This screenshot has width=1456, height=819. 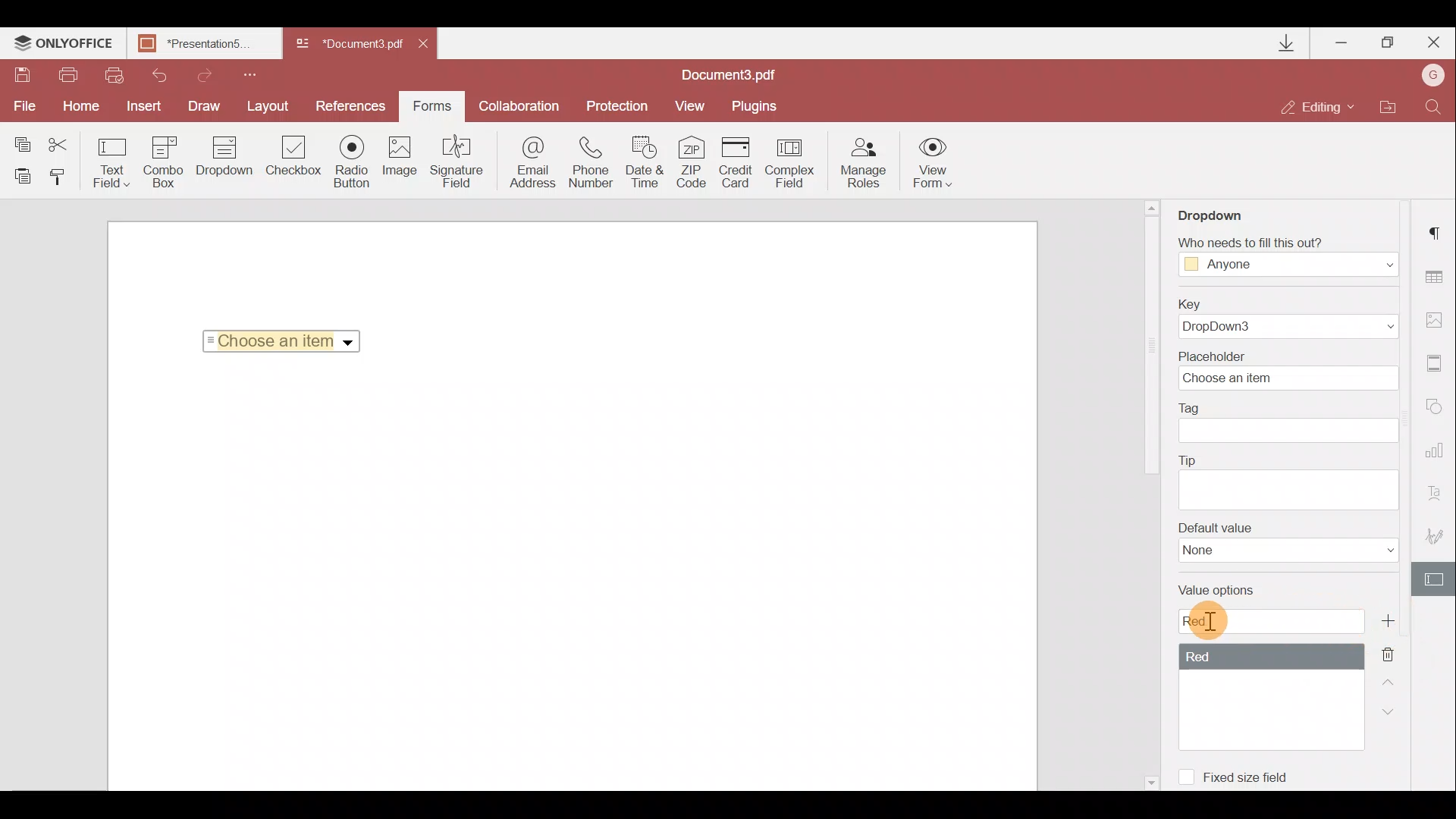 What do you see at coordinates (1295, 424) in the screenshot?
I see `Tag` at bounding box center [1295, 424].